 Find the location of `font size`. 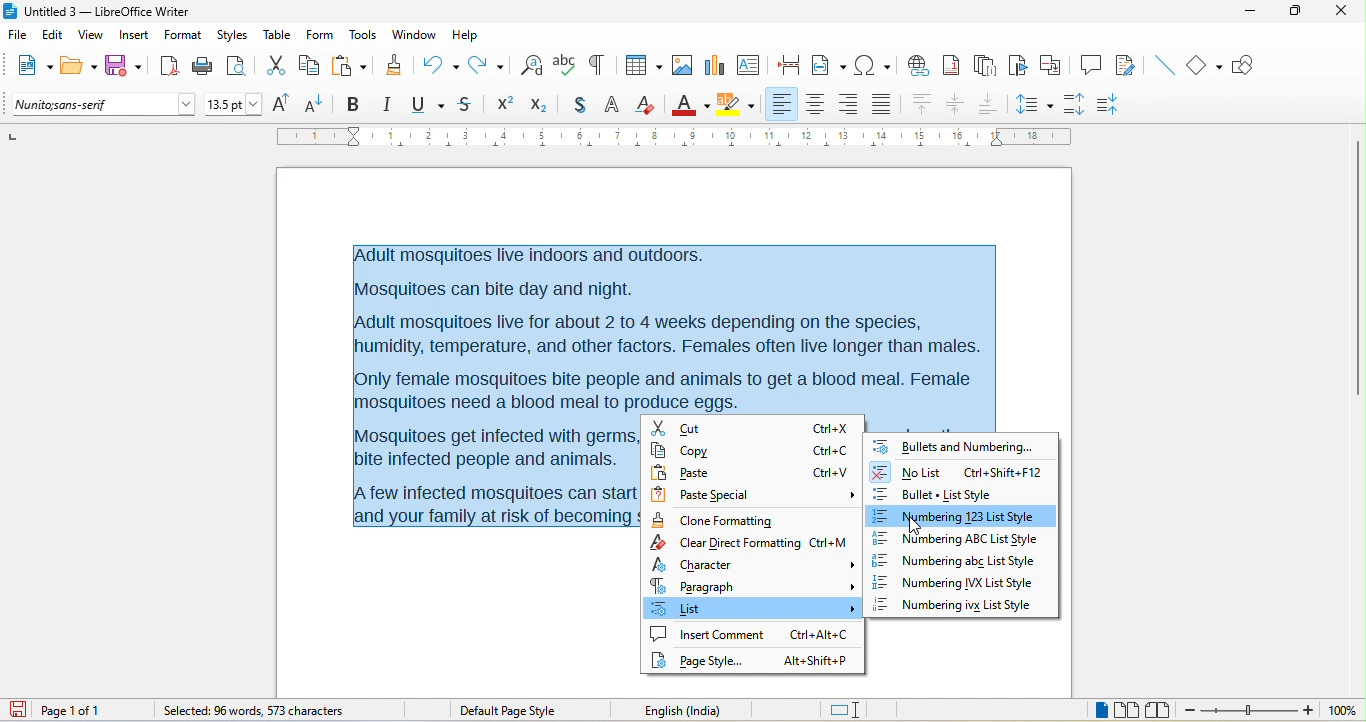

font size is located at coordinates (234, 104).